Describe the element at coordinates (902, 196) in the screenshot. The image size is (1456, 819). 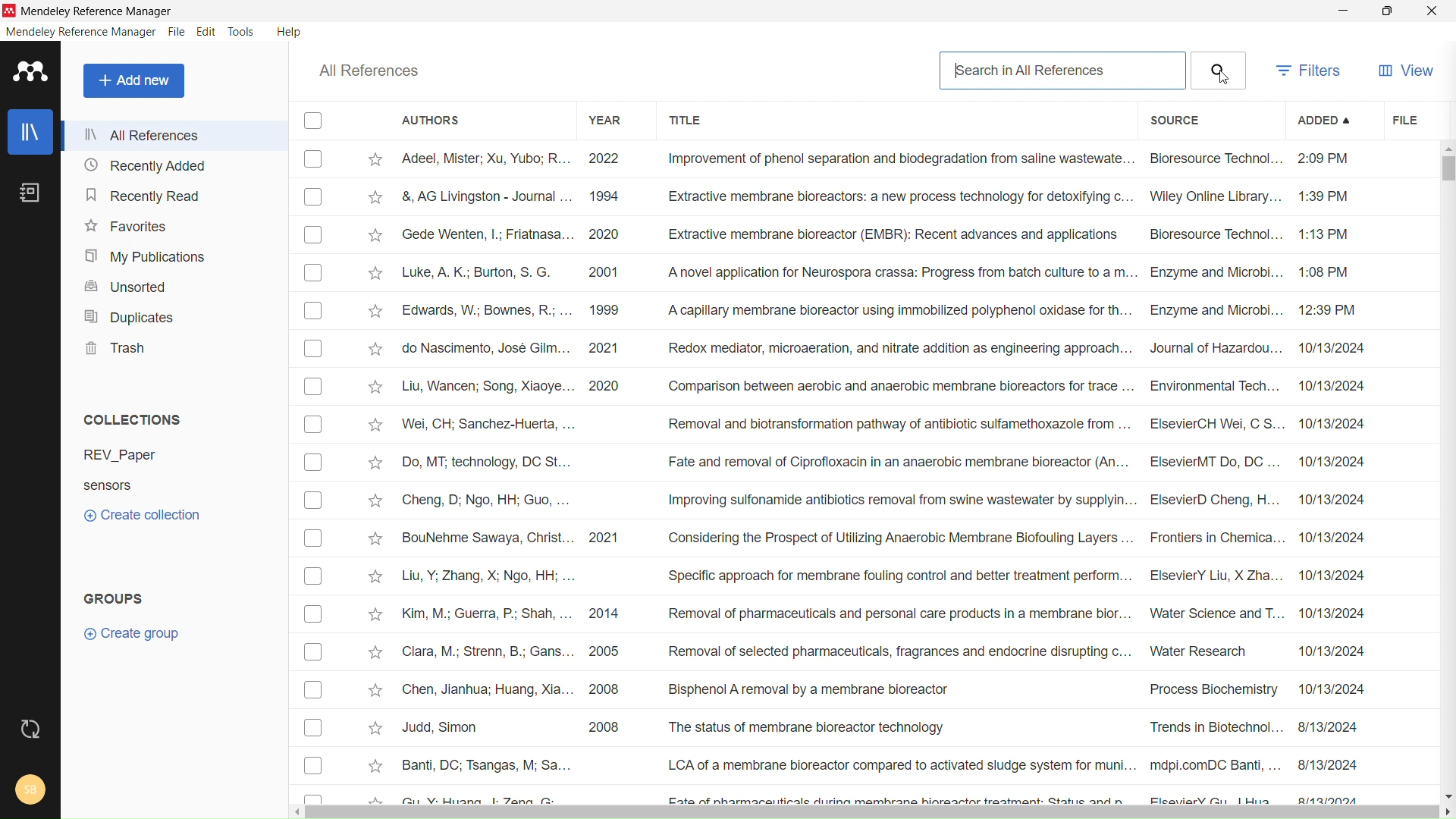
I see `&, AG Livingston - Journal ... 1994 Extractive membrane bioreactors: a new process technology for detoxifying c... Wiley Online Library... 1:39 PM` at that location.